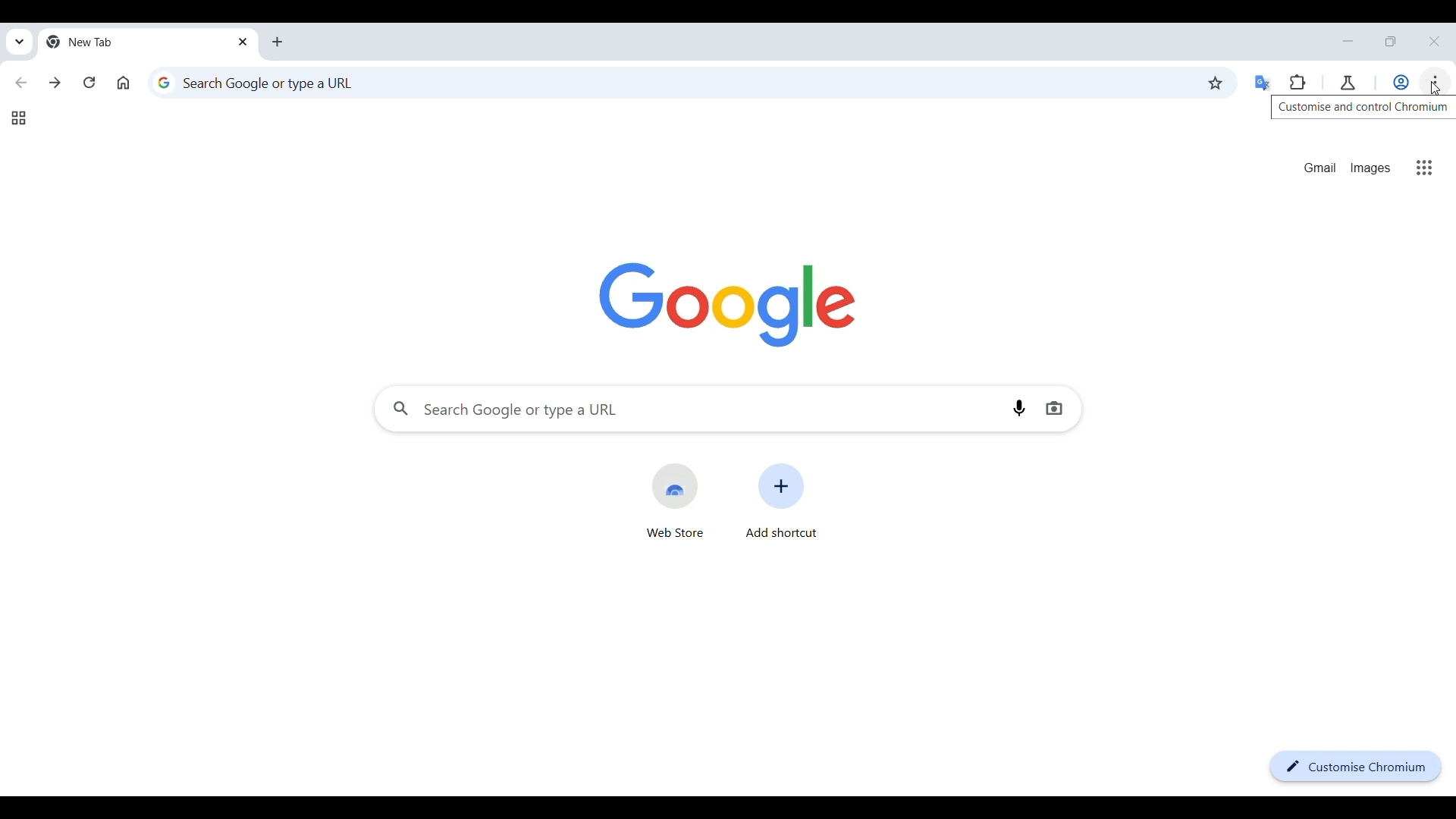  I want to click on Add shortcut, so click(781, 500).